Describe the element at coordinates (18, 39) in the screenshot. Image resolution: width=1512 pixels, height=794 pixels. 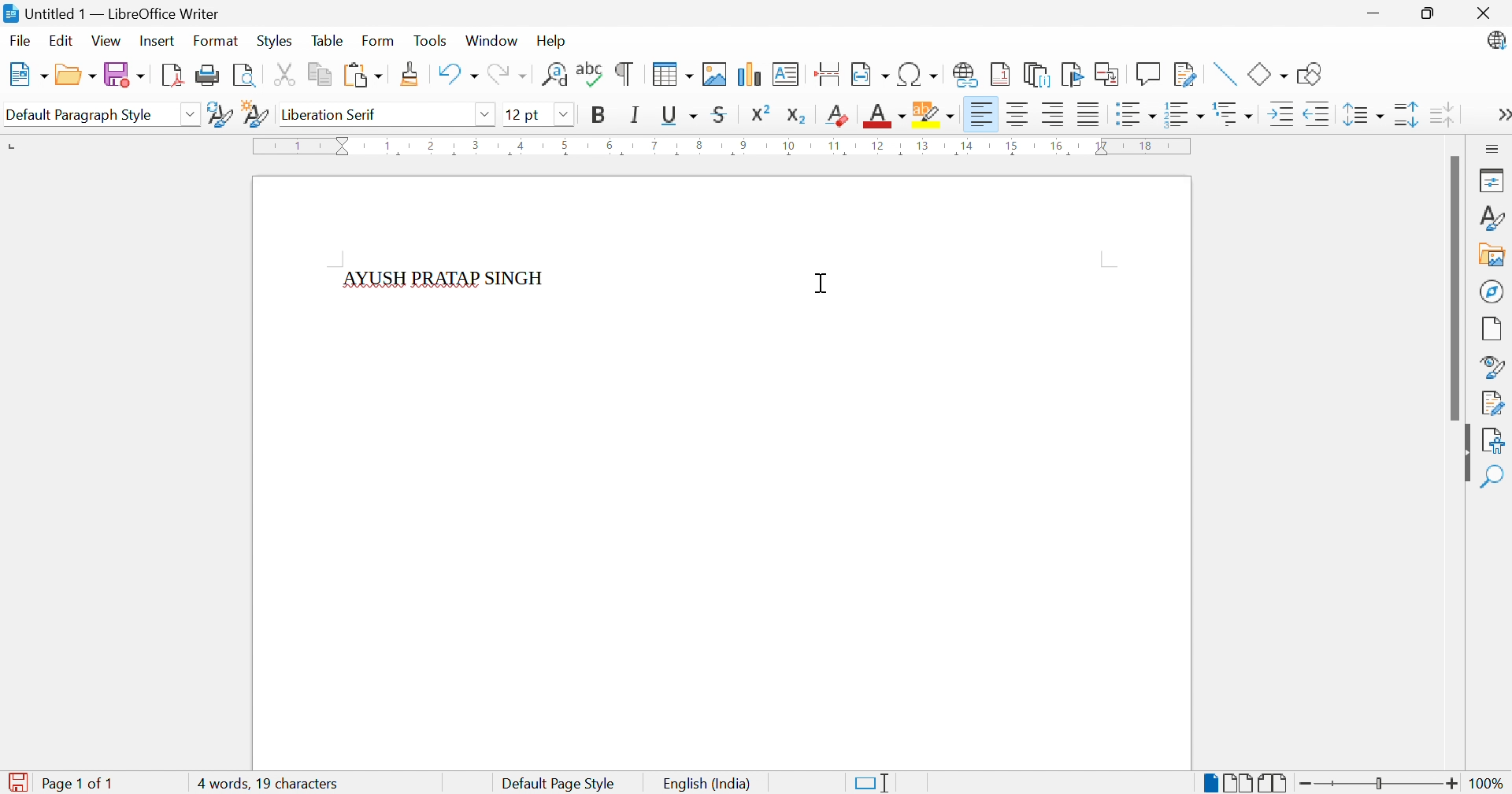
I see `File` at that location.